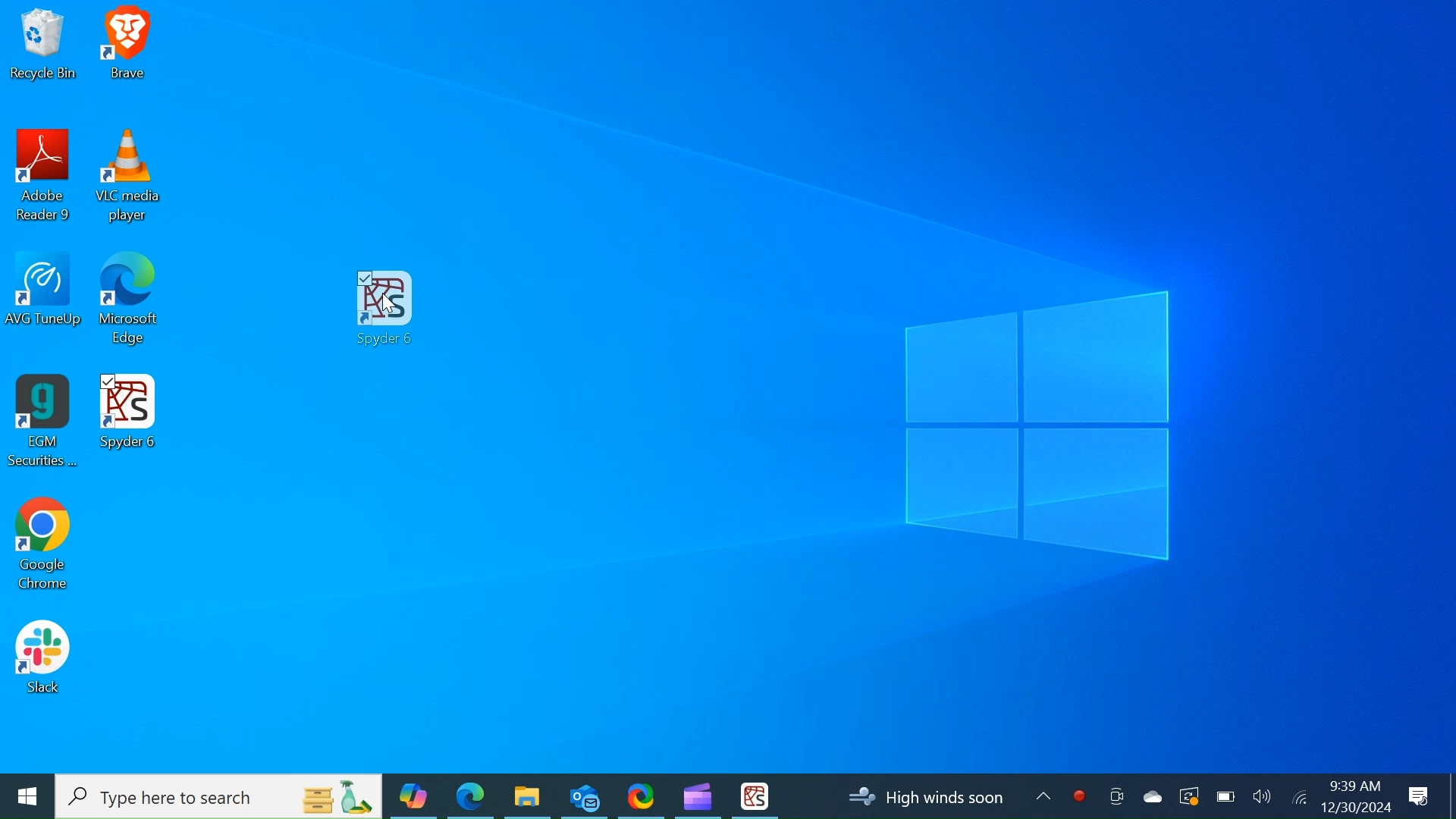 This screenshot has height=819, width=1456. I want to click on Updates, so click(924, 797).